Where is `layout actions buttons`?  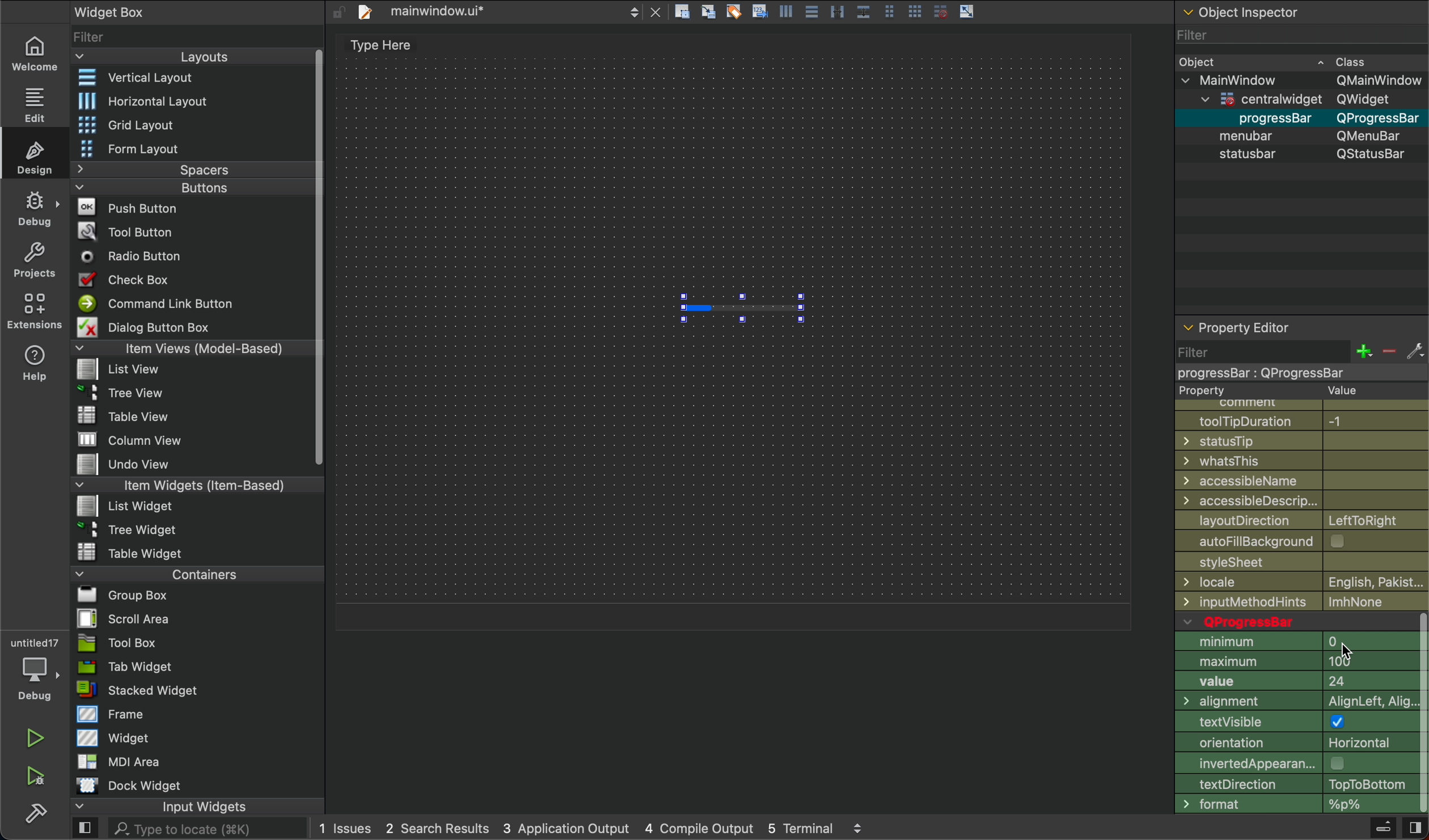 layout actions buttons is located at coordinates (824, 14).